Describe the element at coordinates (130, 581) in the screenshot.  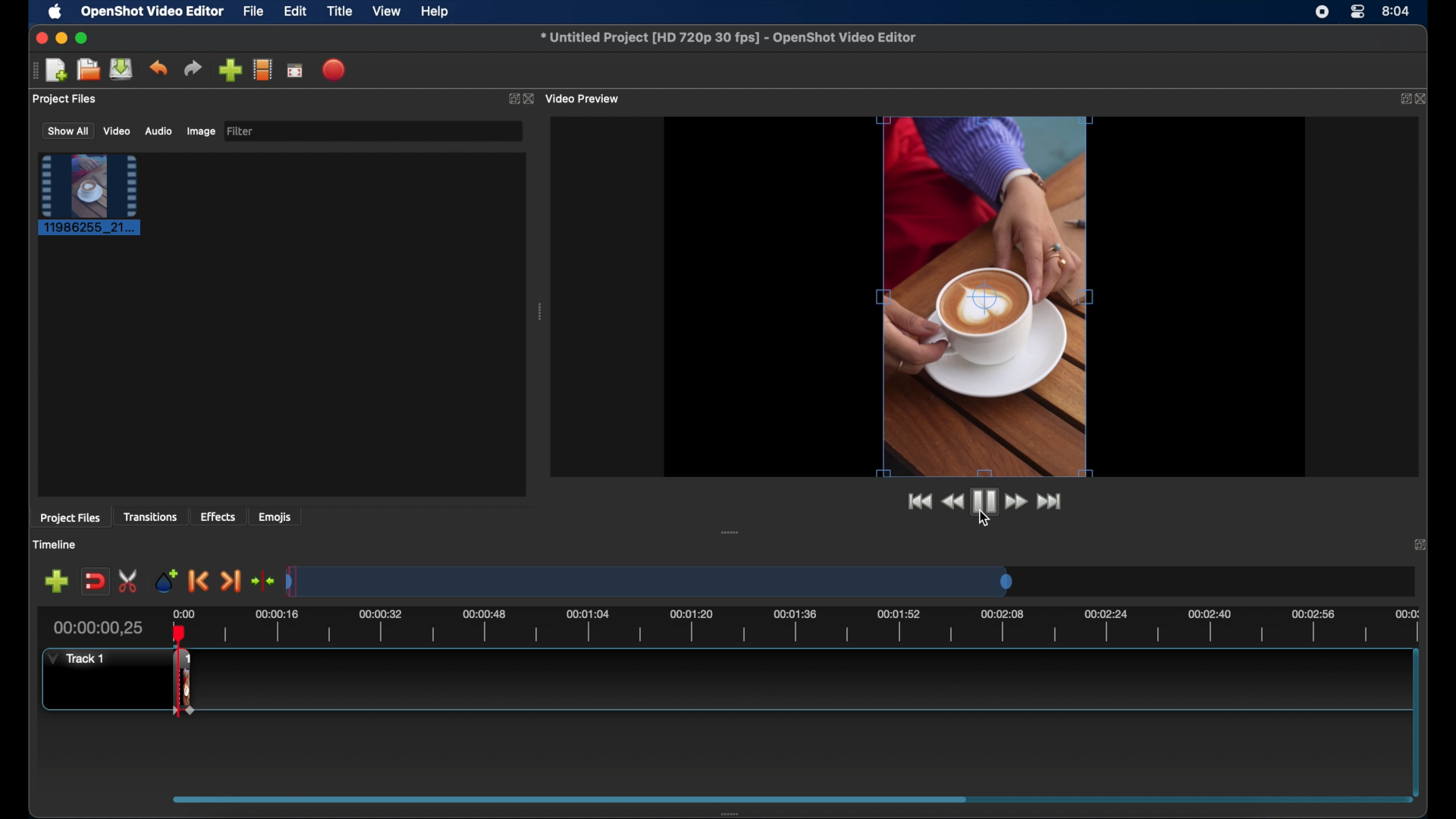
I see `enable razor` at that location.